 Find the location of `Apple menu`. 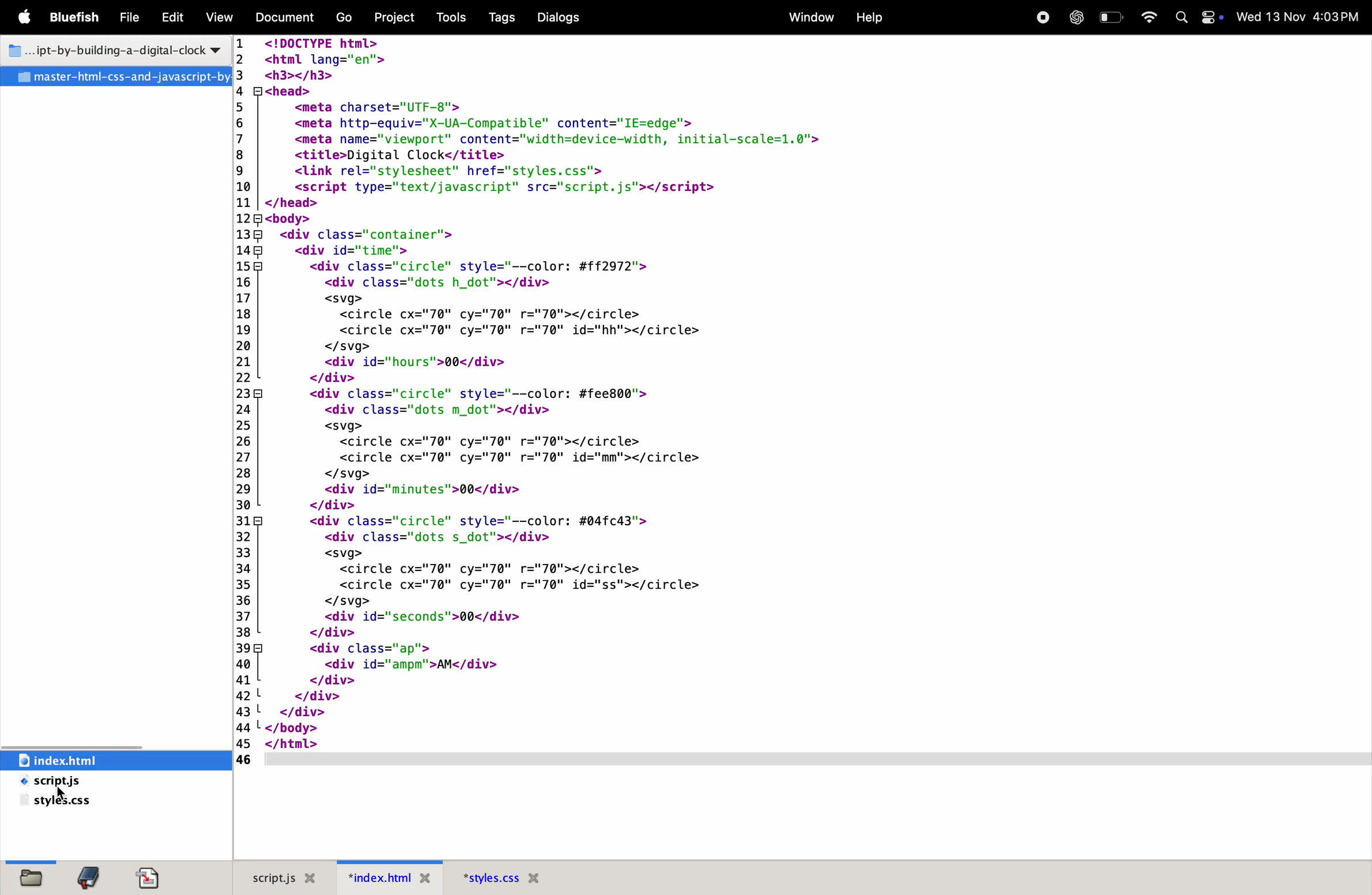

Apple menu is located at coordinates (24, 18).